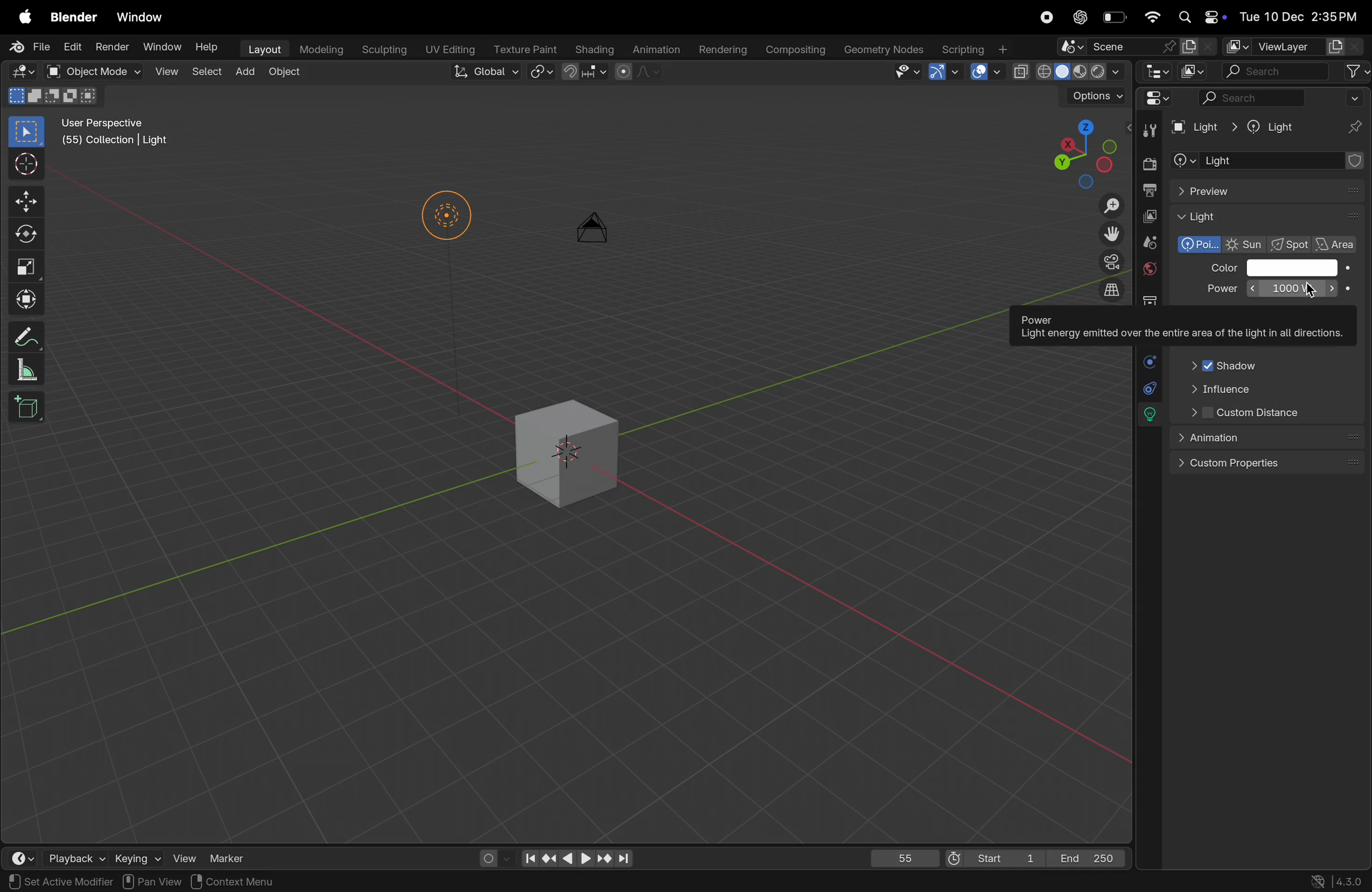 The width and height of the screenshot is (1372, 892). Describe the element at coordinates (800, 48) in the screenshot. I see `compsing` at that location.